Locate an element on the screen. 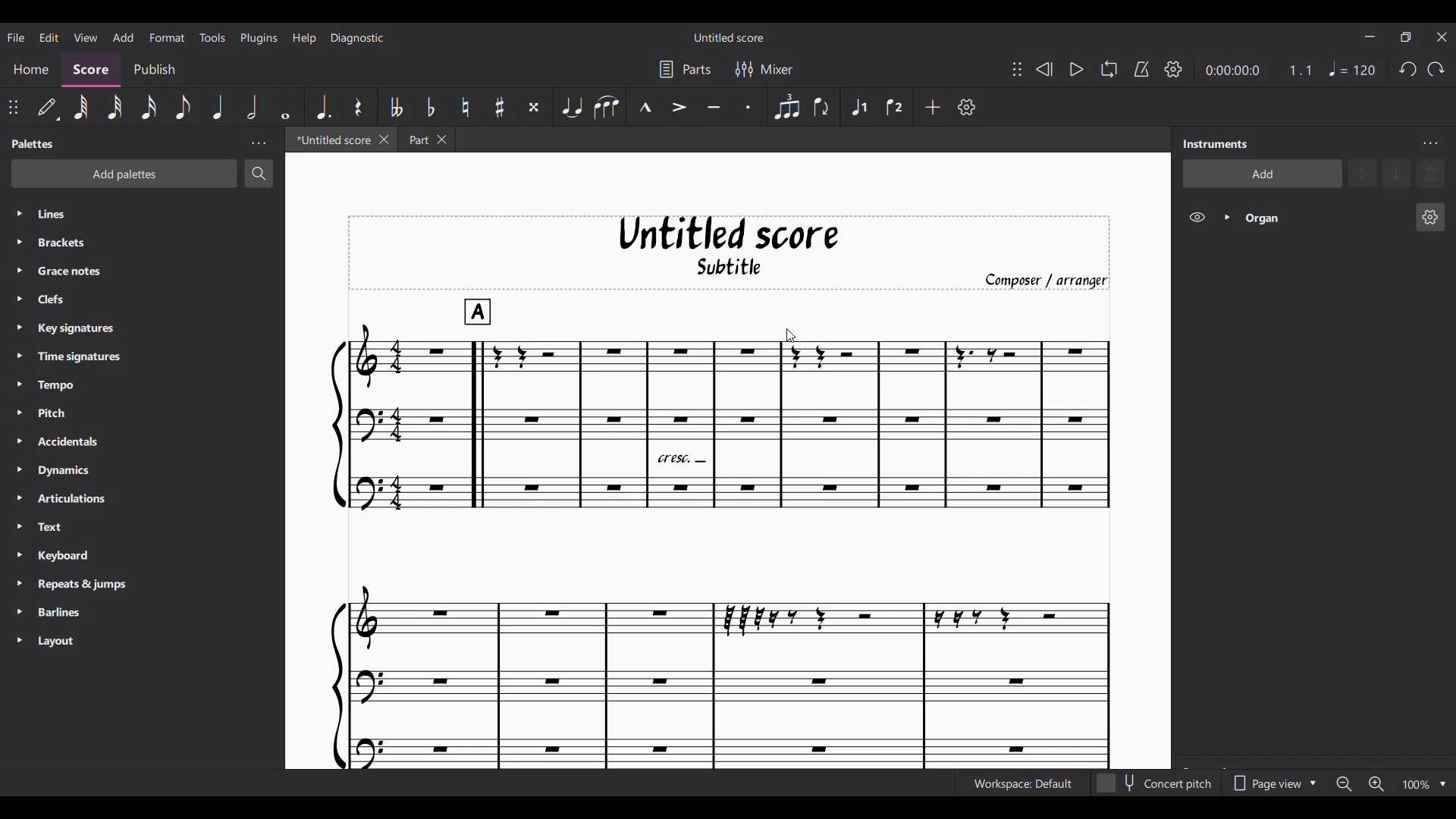 Image resolution: width=1456 pixels, height=819 pixels. Toggle sharp is located at coordinates (500, 108).